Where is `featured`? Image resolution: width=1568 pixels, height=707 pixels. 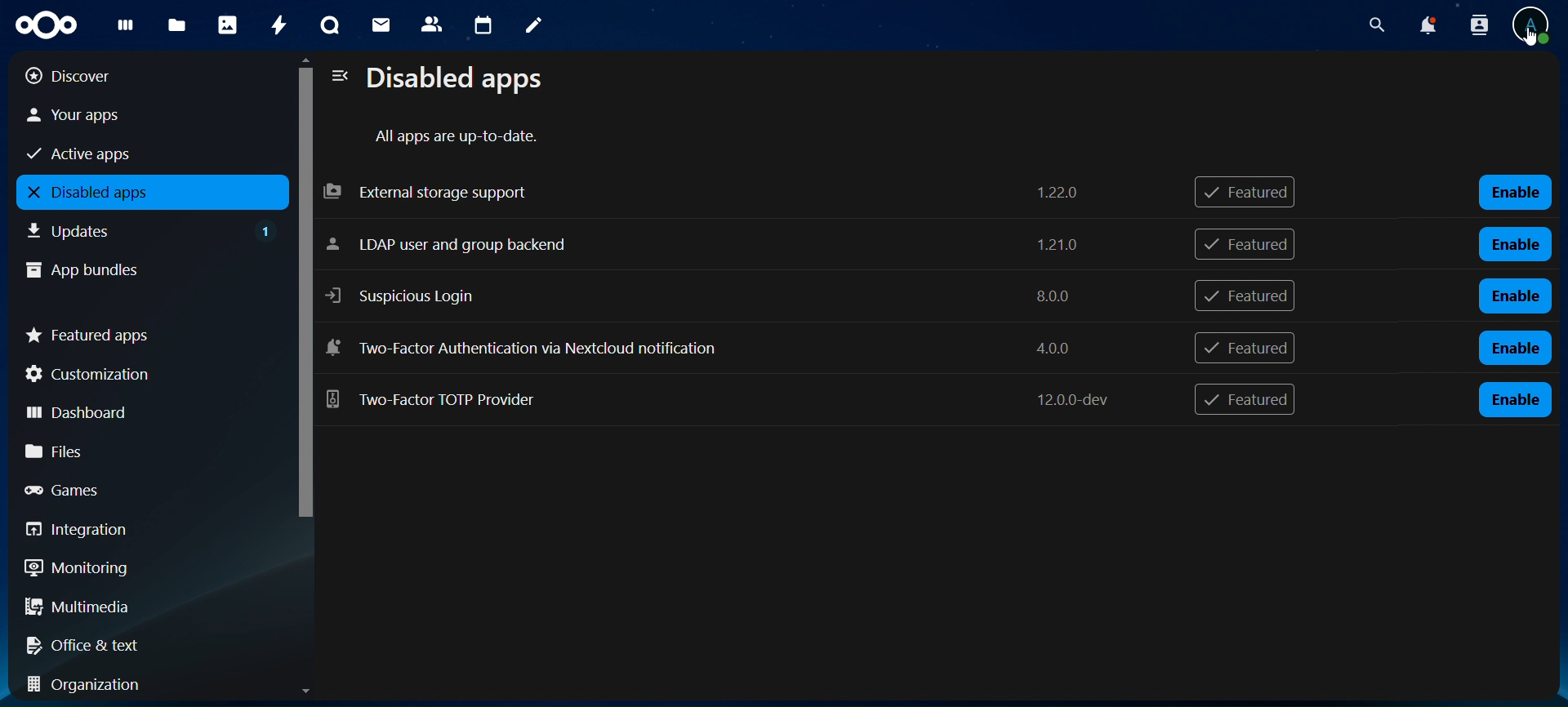
featured is located at coordinates (1250, 193).